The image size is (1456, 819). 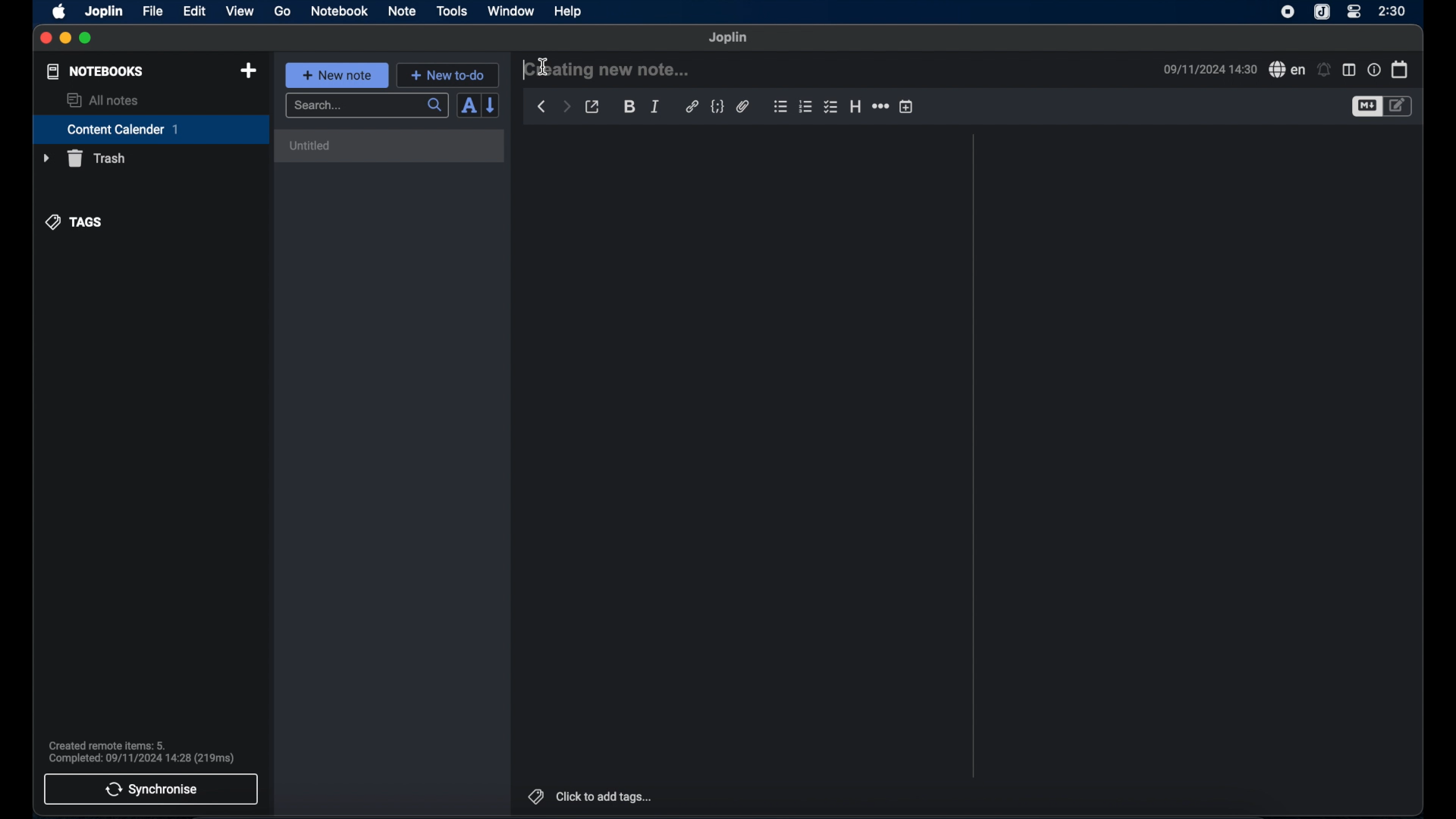 I want to click on edit, so click(x=196, y=12).